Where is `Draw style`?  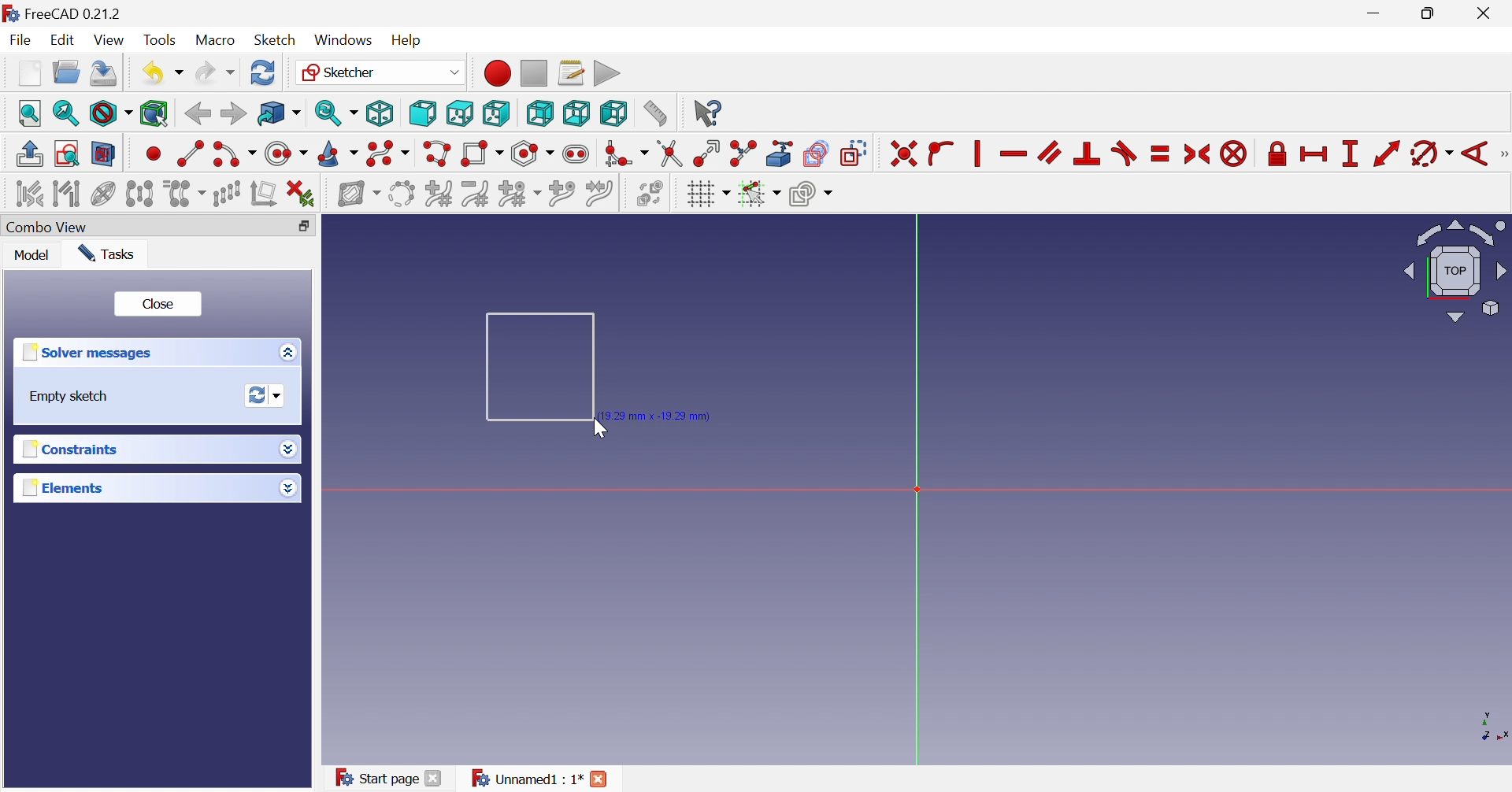
Draw style is located at coordinates (110, 114).